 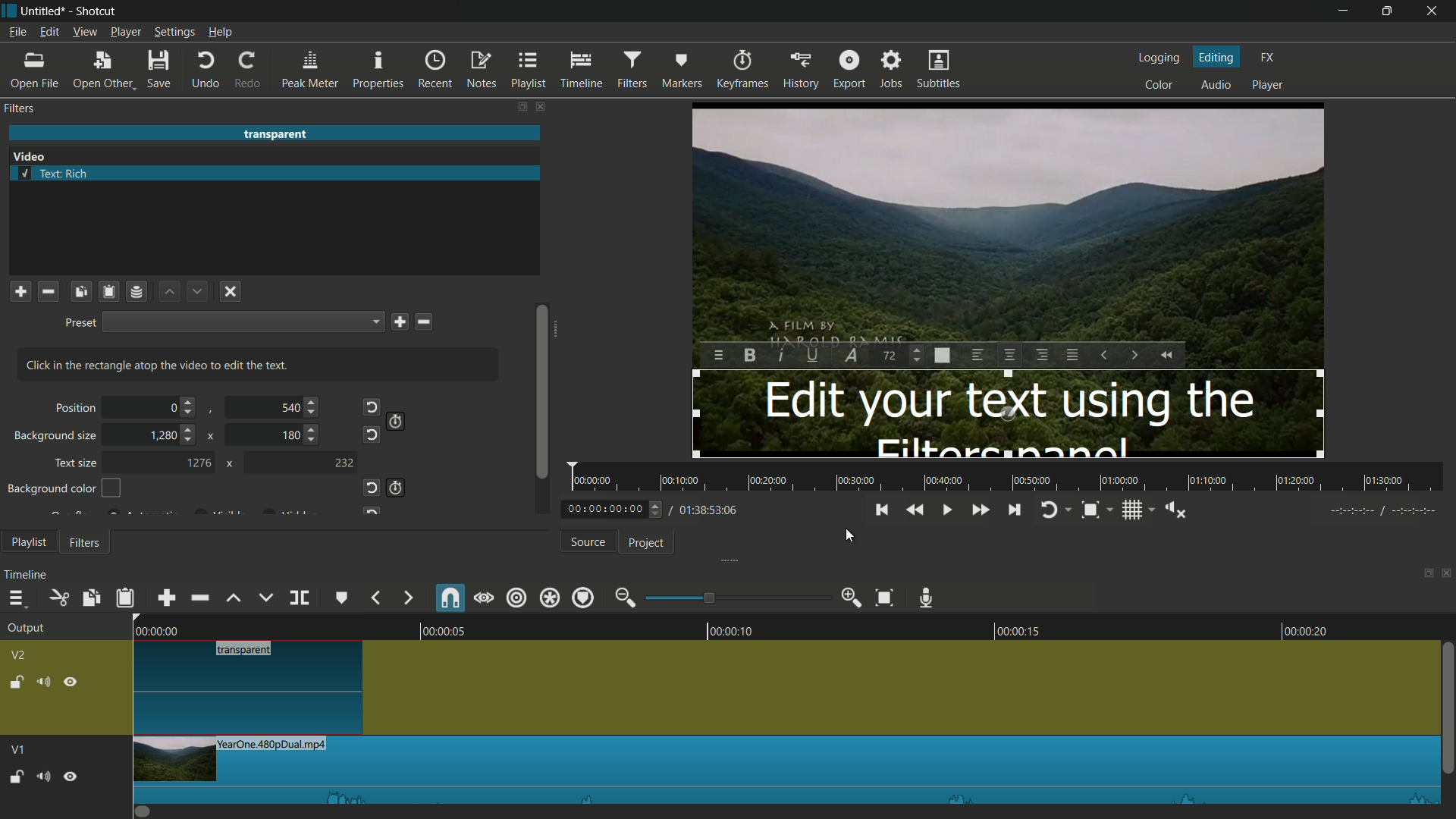 What do you see at coordinates (877, 509) in the screenshot?
I see `back` at bounding box center [877, 509].